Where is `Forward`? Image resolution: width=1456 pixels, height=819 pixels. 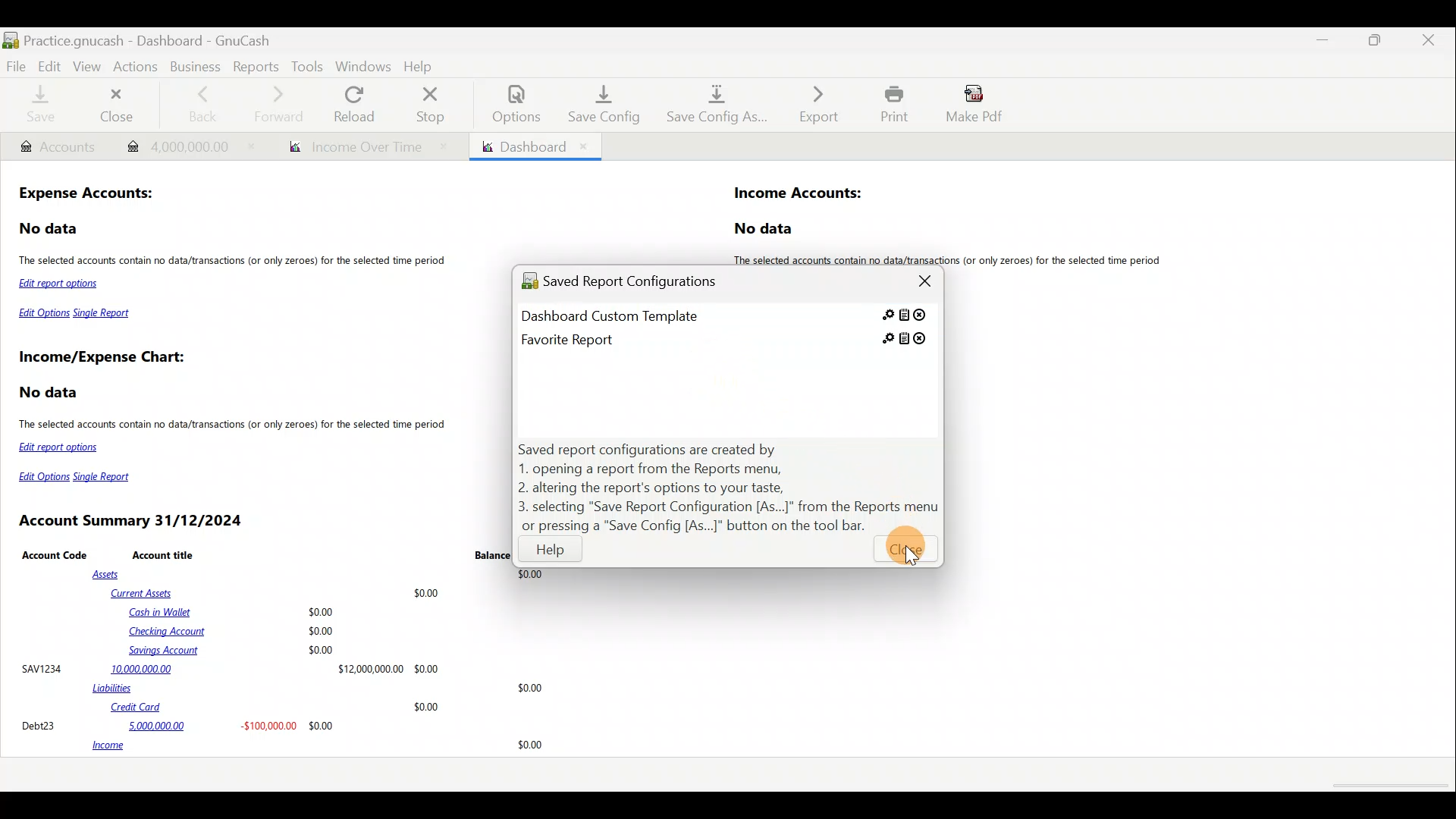 Forward is located at coordinates (284, 104).